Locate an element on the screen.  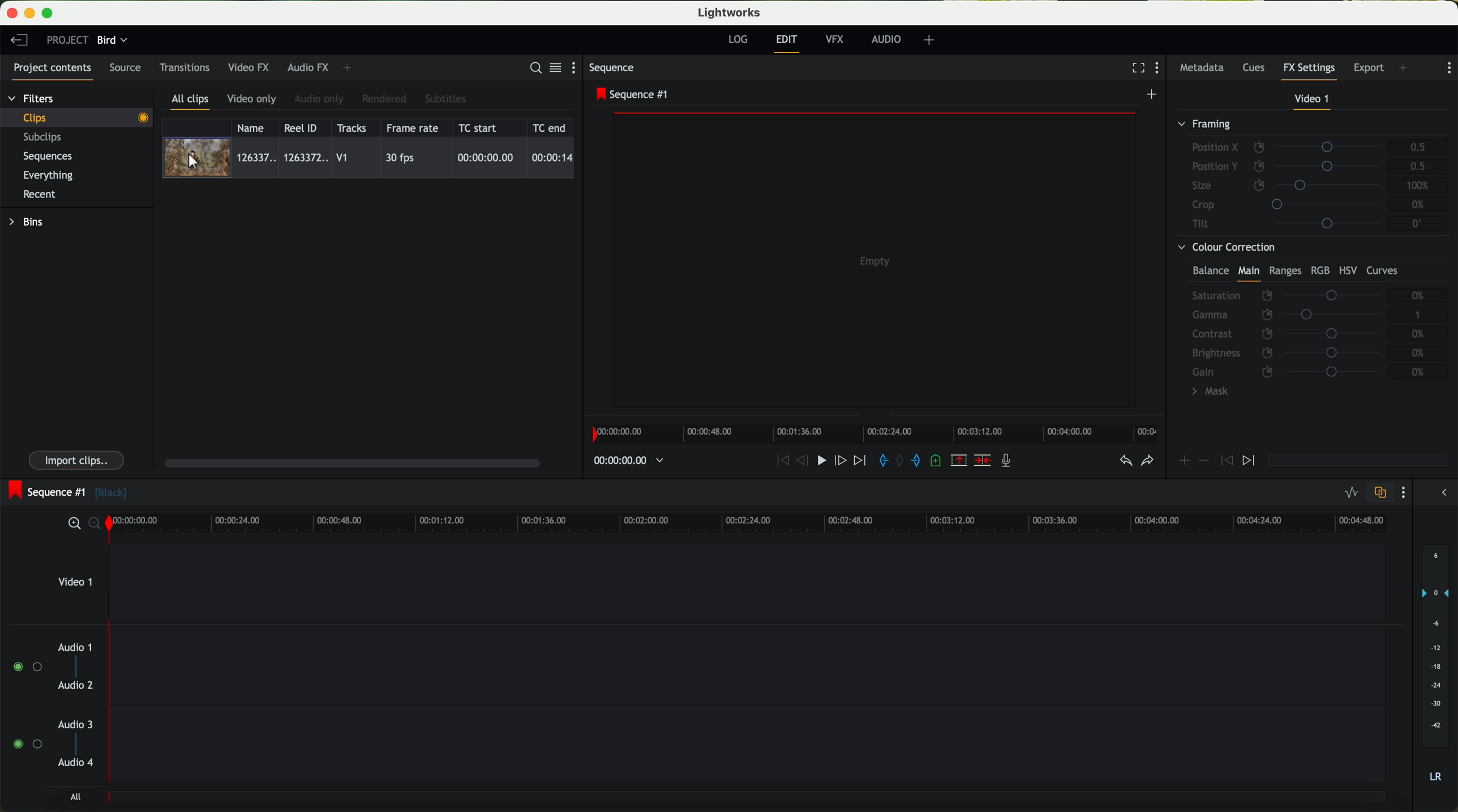
edit is located at coordinates (788, 42).